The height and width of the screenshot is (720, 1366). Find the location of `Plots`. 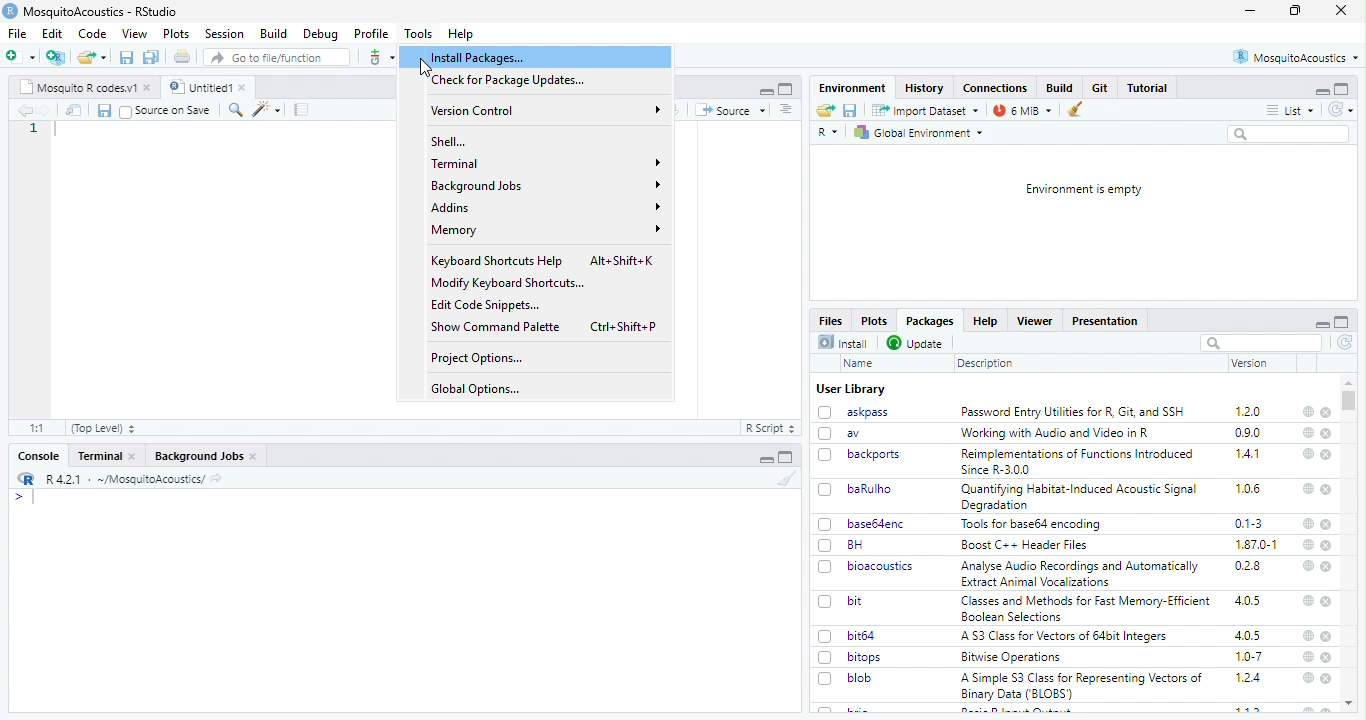

Plots is located at coordinates (875, 321).